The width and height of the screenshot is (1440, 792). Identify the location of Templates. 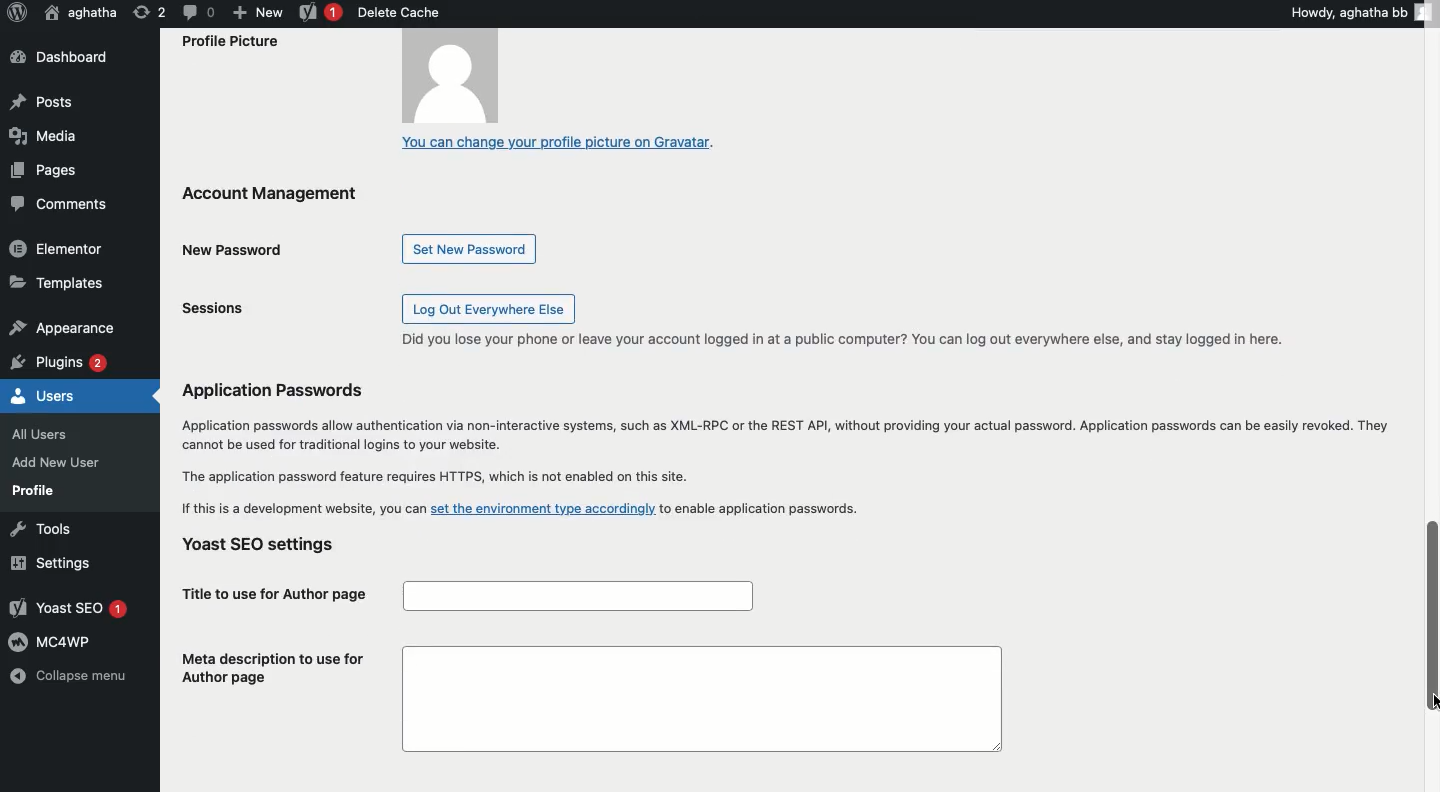
(58, 281).